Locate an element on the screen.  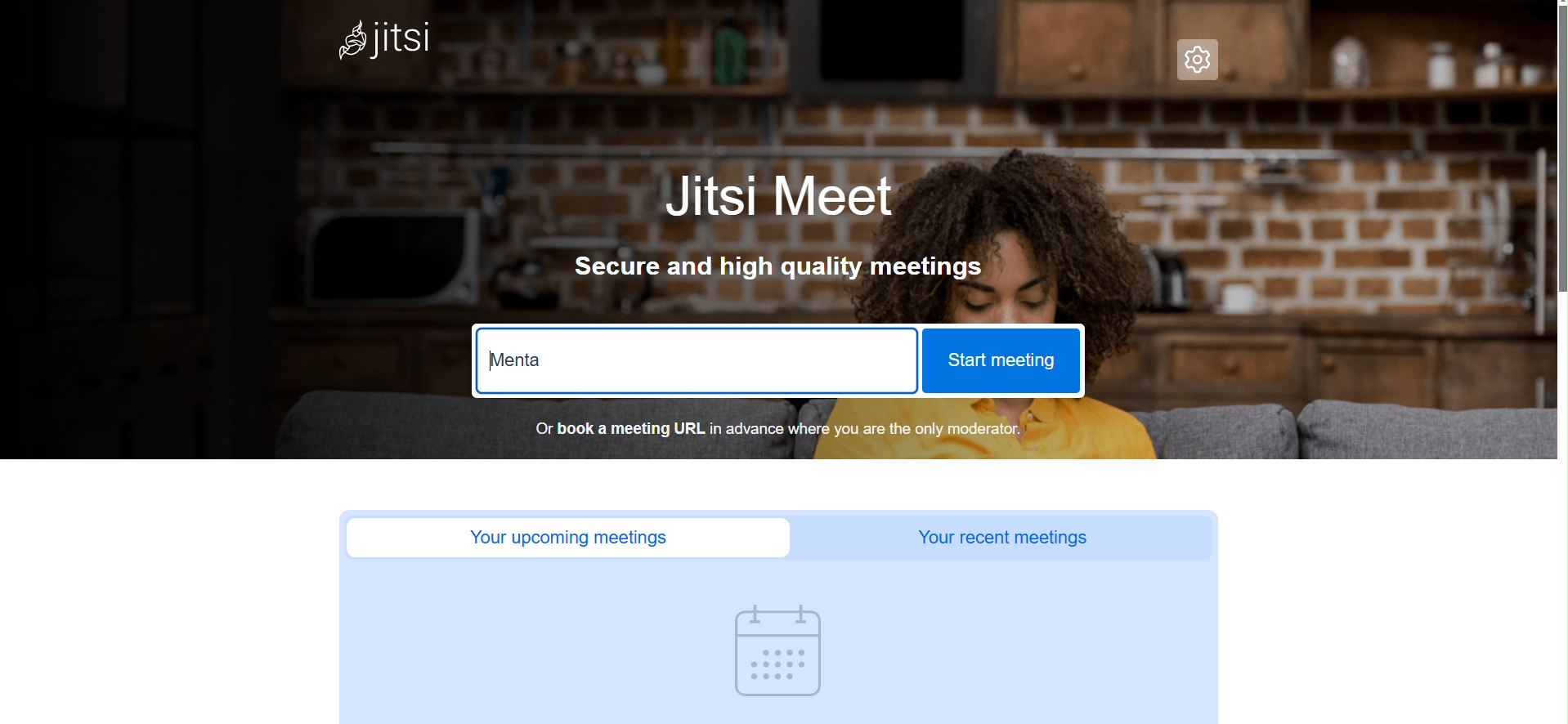
Background image is located at coordinates (804, 34).